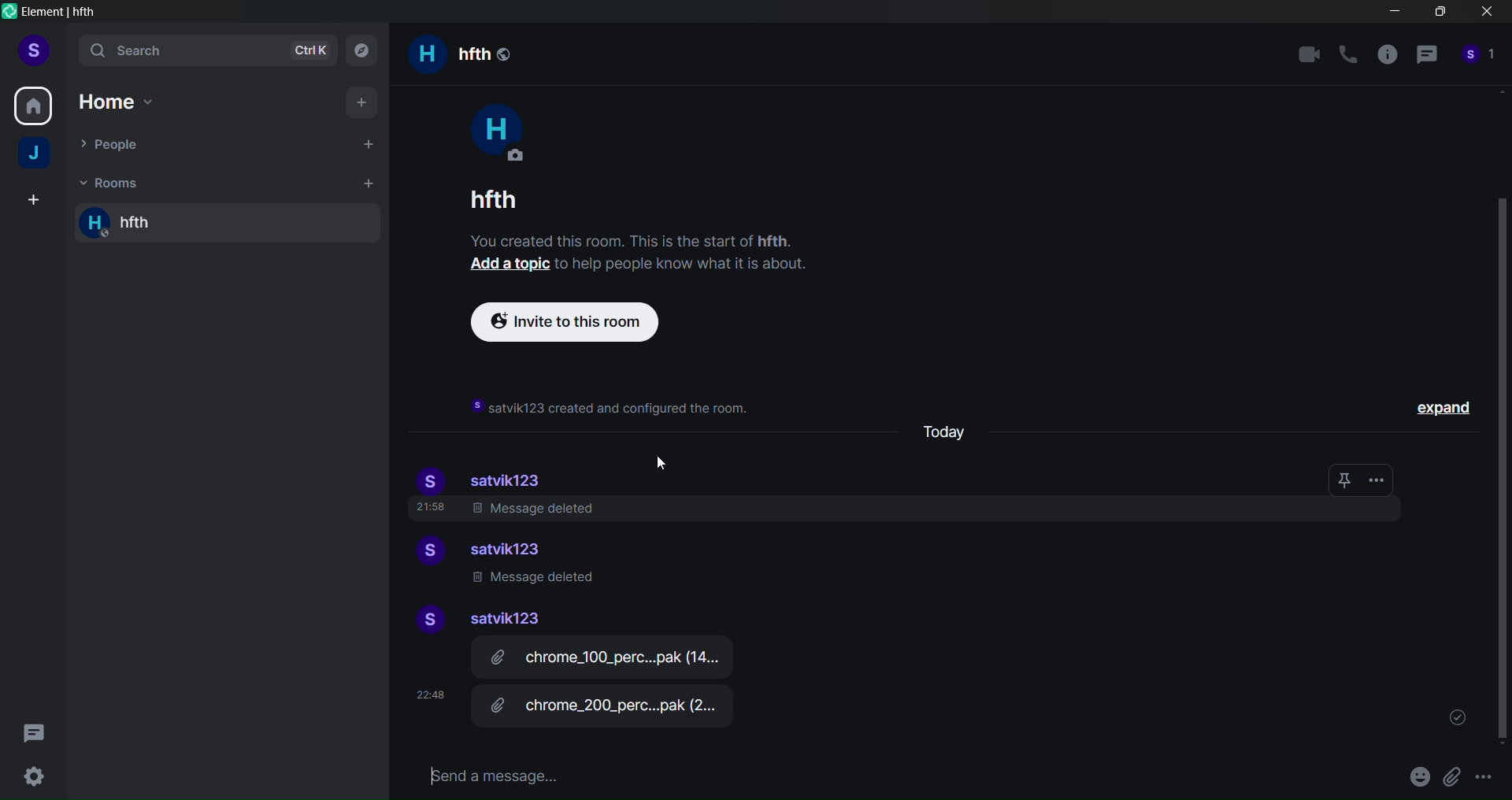 The image size is (1512, 800). I want to click on sent, so click(1449, 717).